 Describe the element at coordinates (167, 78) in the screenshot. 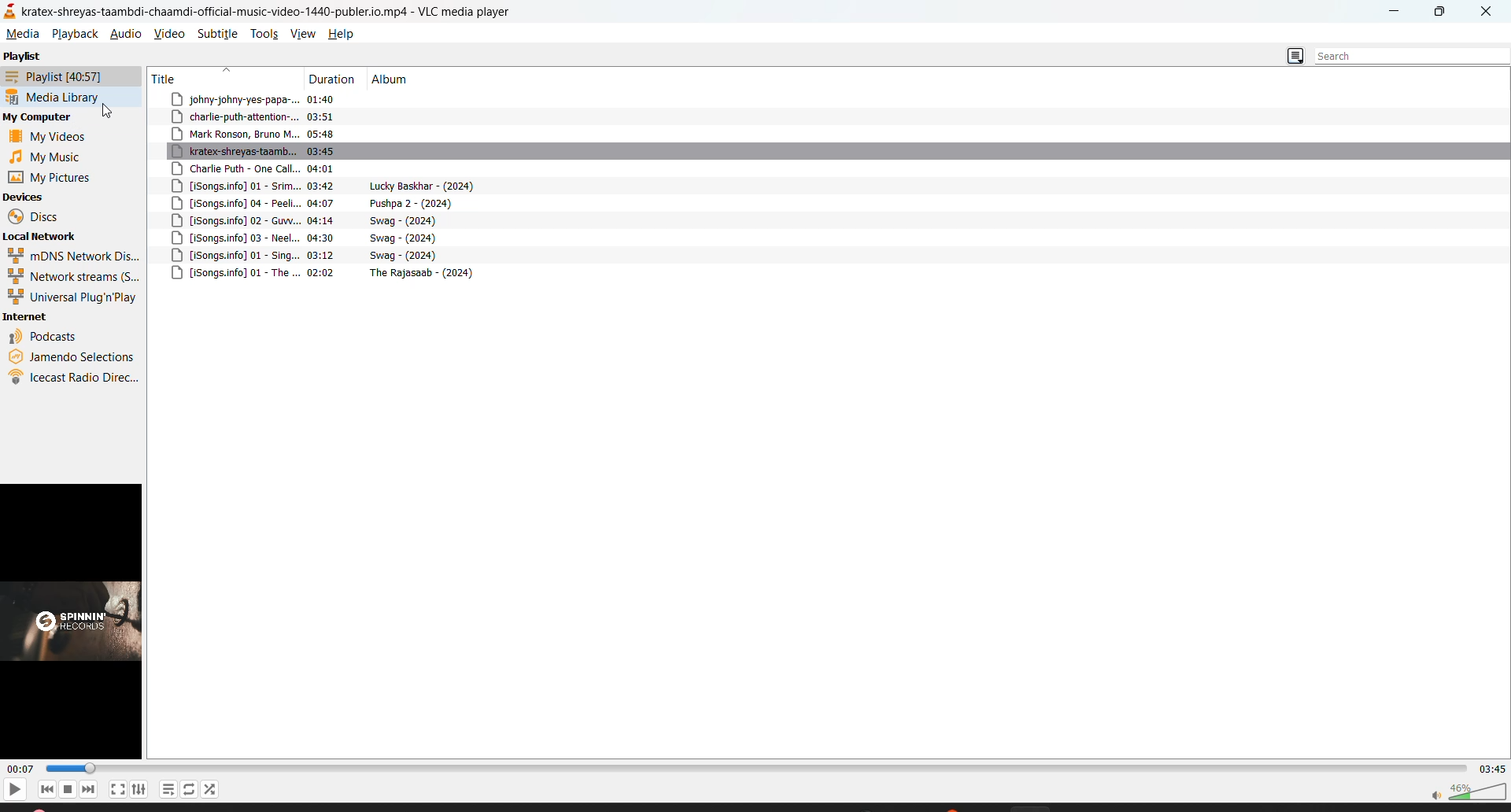

I see `title` at that location.